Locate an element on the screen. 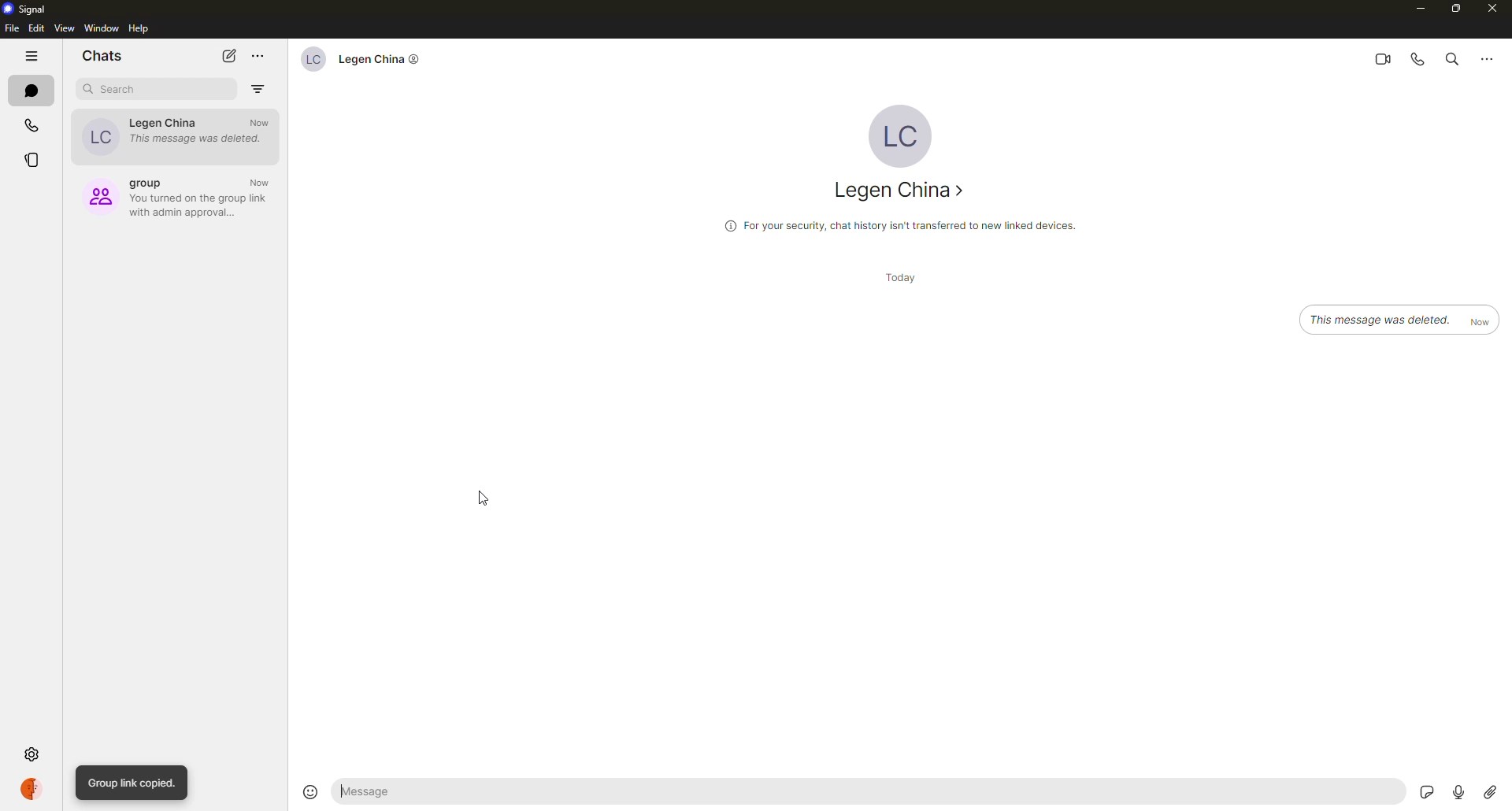  close is located at coordinates (1492, 9).